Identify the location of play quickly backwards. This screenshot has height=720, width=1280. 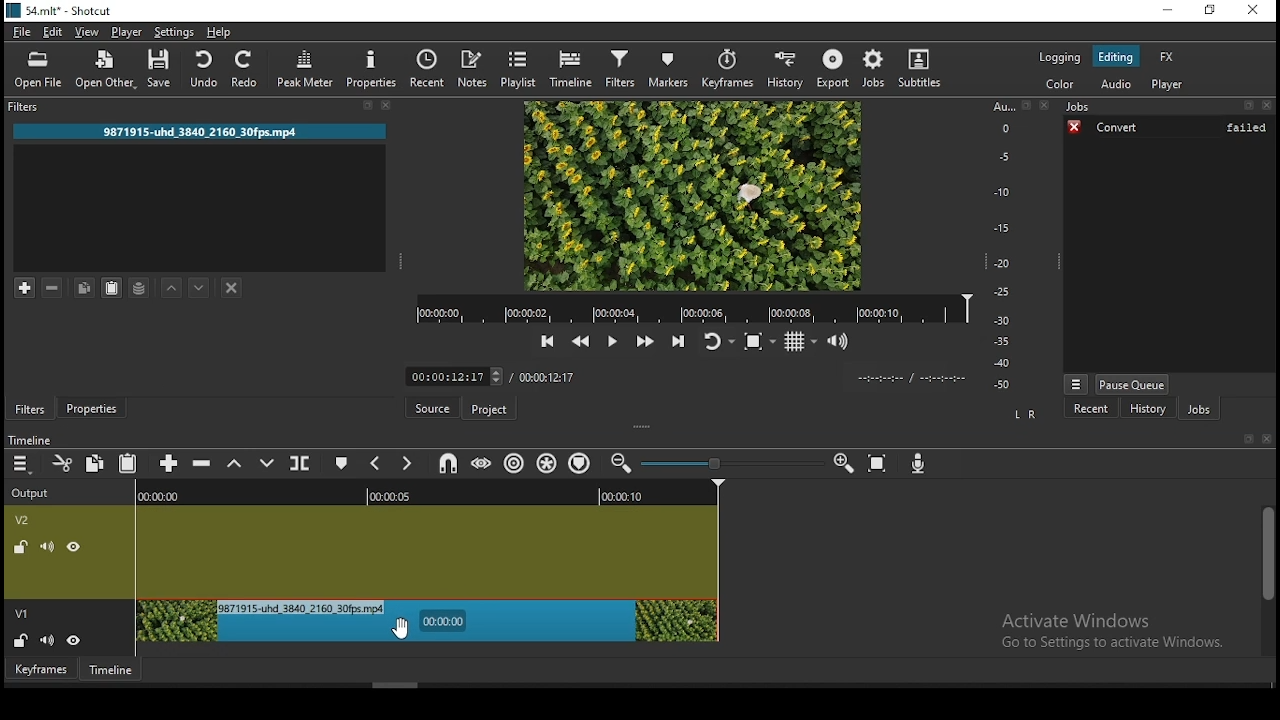
(582, 342).